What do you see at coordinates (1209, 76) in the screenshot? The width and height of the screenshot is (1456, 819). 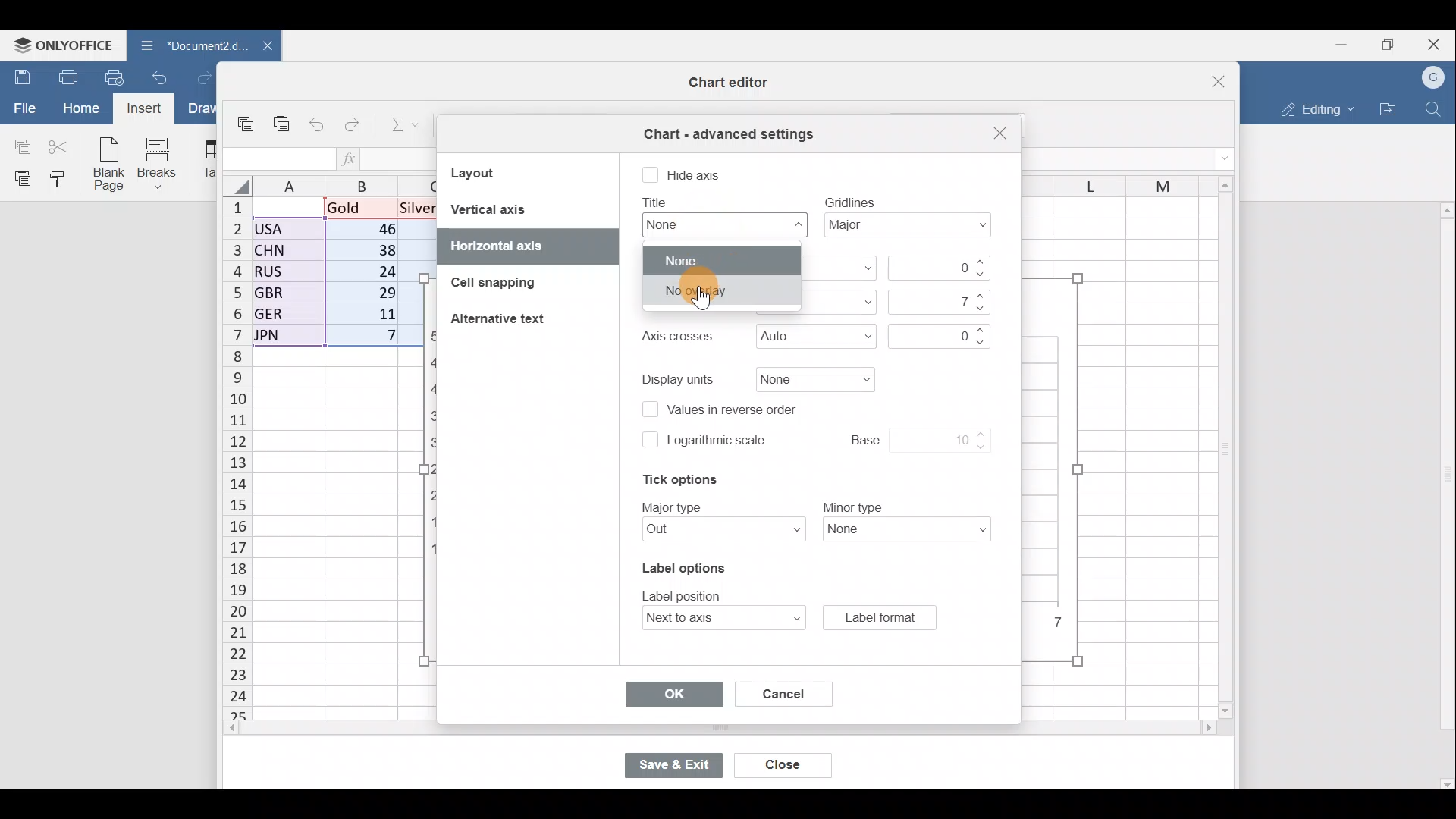 I see `Close` at bounding box center [1209, 76].